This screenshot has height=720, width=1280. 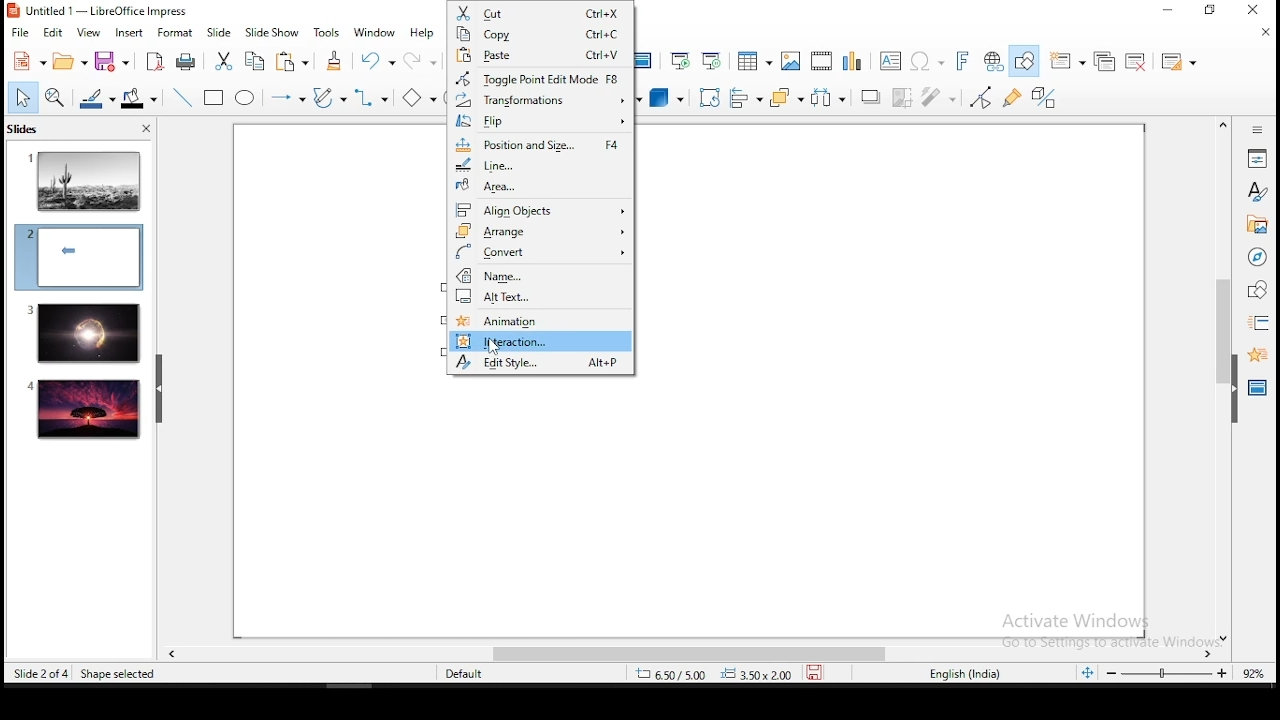 I want to click on copy, so click(x=540, y=36).